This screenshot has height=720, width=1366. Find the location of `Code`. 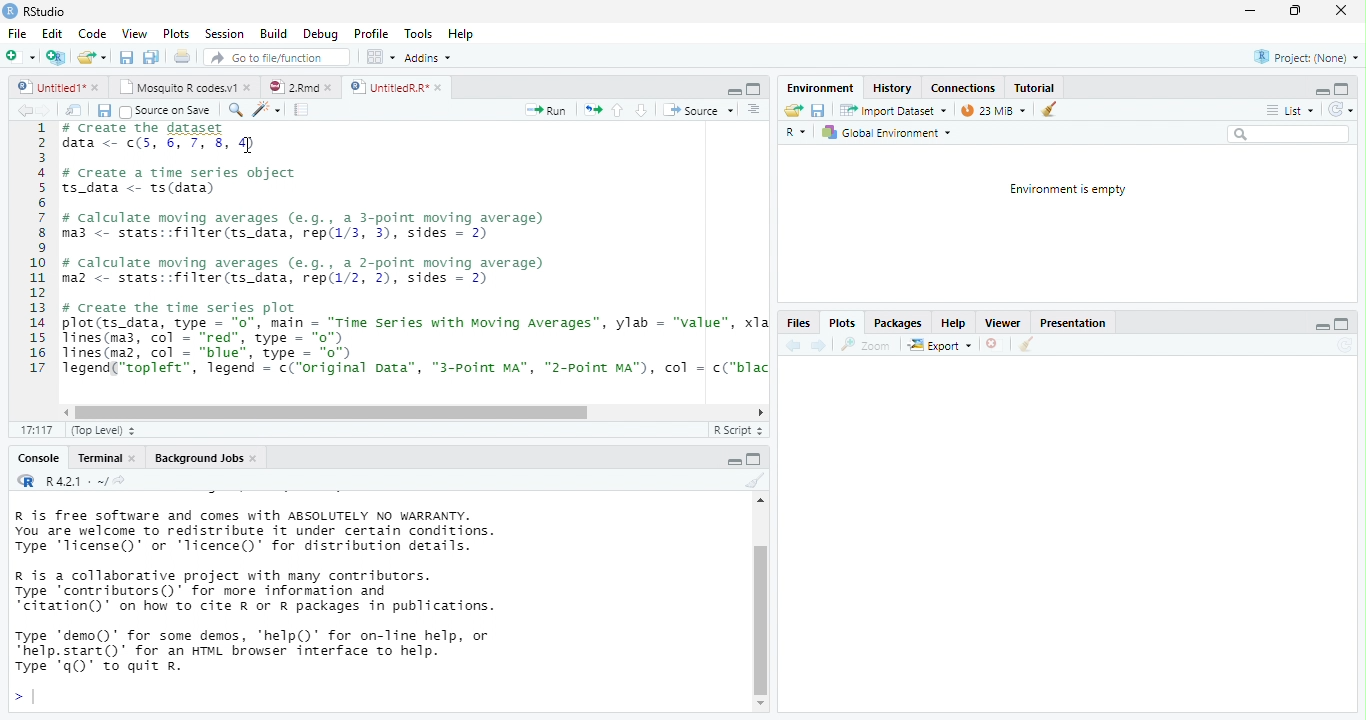

Code is located at coordinates (93, 33).